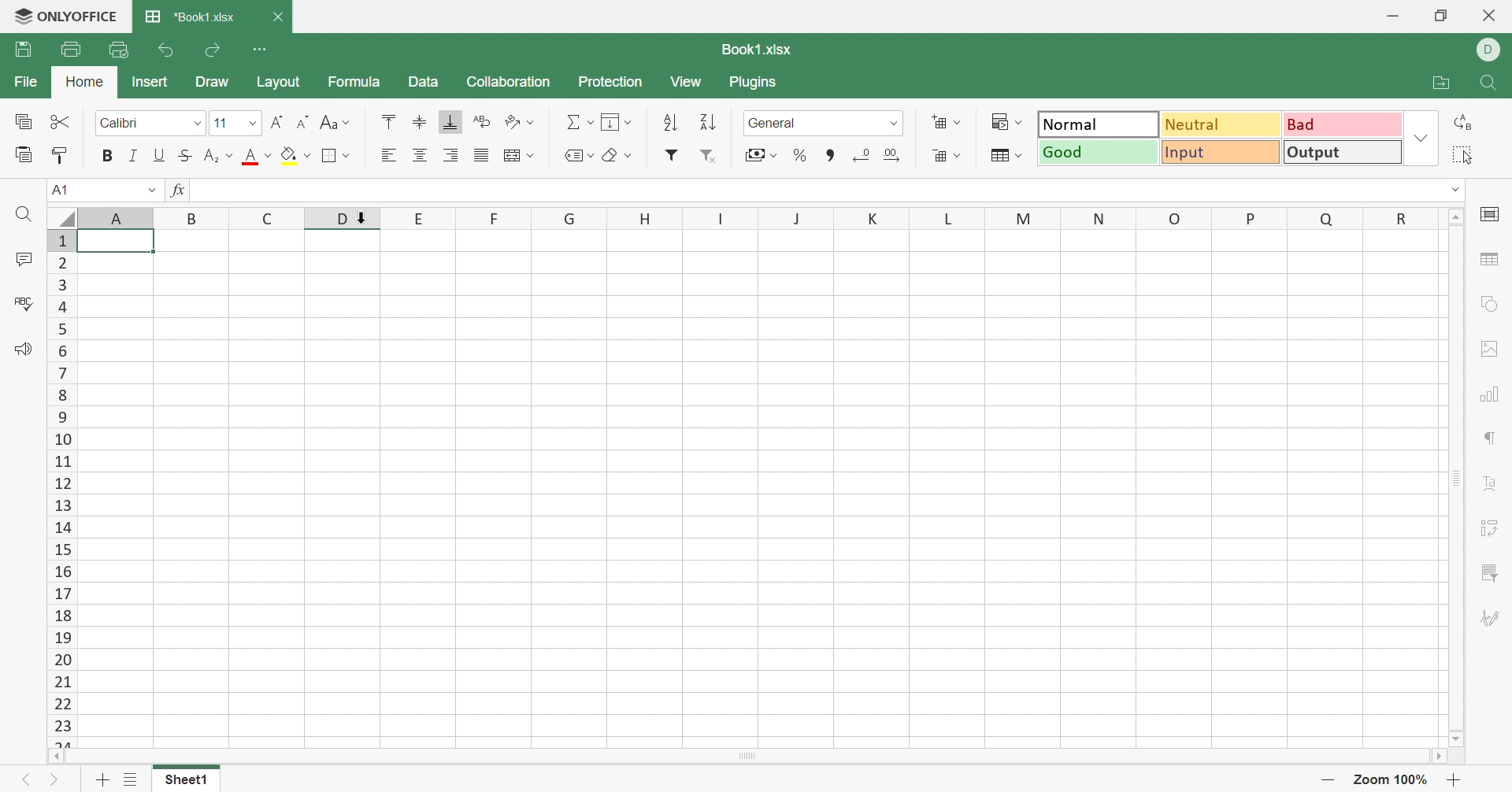 The height and width of the screenshot is (792, 1512). What do you see at coordinates (1493, 304) in the screenshot?
I see `Shape settings` at bounding box center [1493, 304].